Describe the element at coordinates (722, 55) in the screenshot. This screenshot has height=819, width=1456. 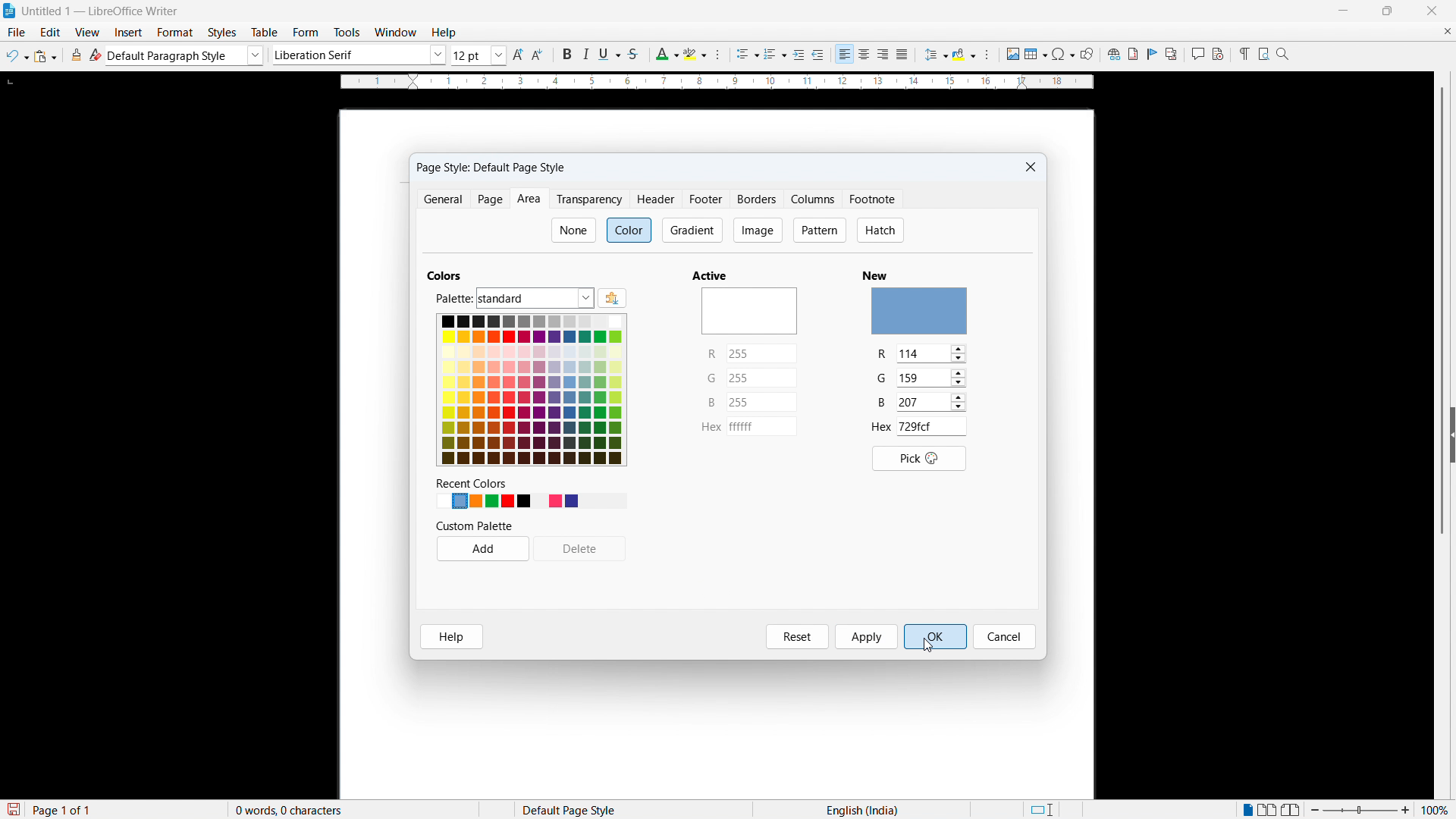
I see `Character ` at that location.